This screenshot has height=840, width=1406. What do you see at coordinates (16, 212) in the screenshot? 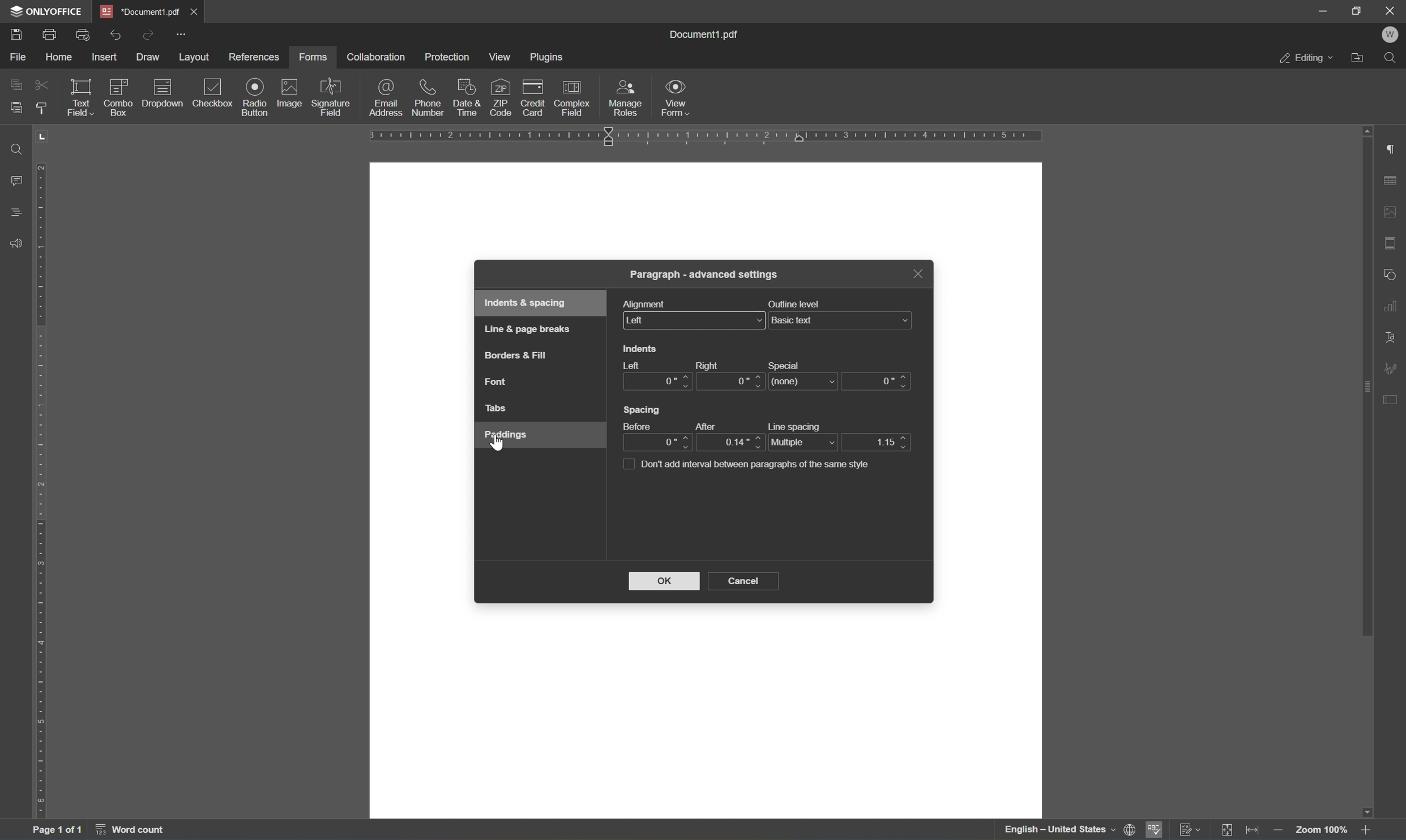
I see `headings` at bounding box center [16, 212].